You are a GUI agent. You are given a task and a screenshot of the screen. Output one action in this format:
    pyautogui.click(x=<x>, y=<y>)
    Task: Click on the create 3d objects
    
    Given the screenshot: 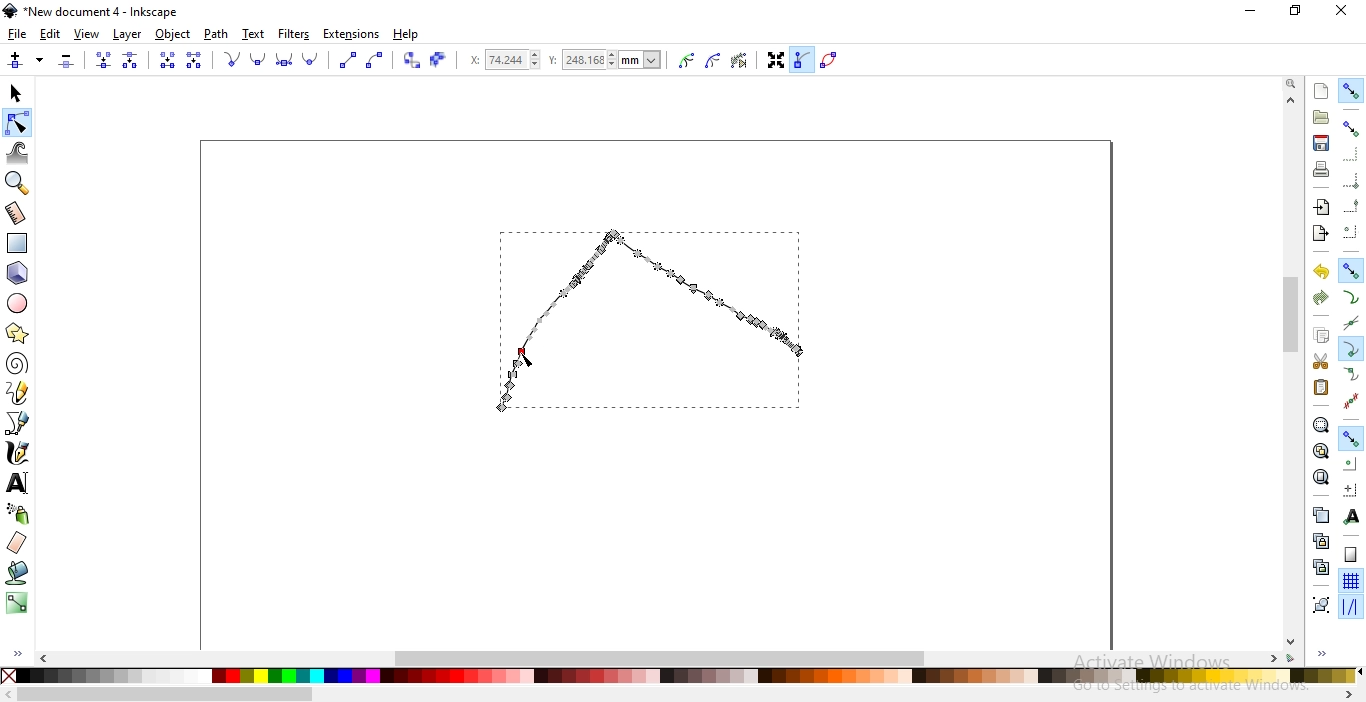 What is the action you would take?
    pyautogui.click(x=18, y=274)
    